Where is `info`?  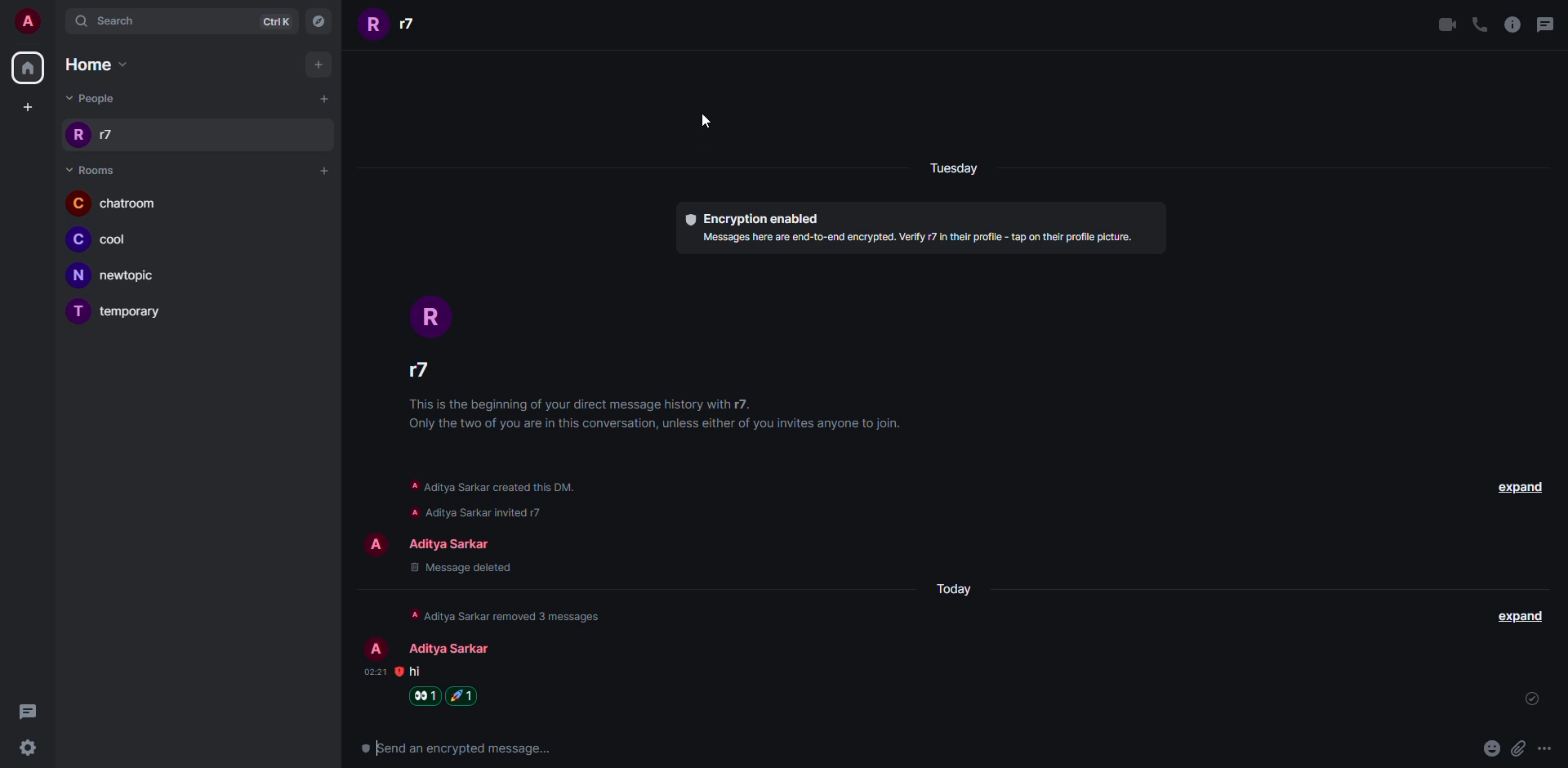
info is located at coordinates (492, 485).